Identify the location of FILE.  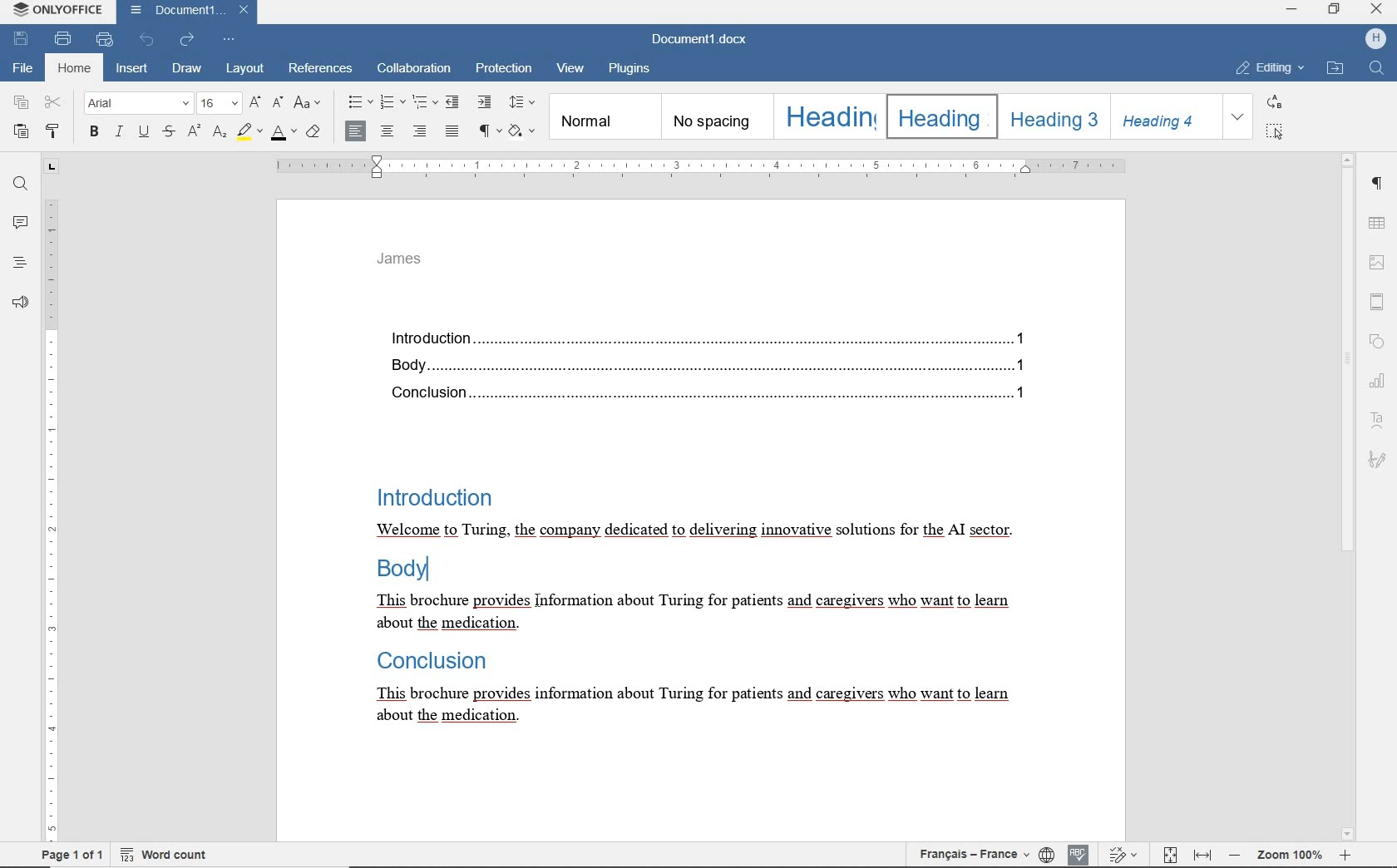
(24, 70).